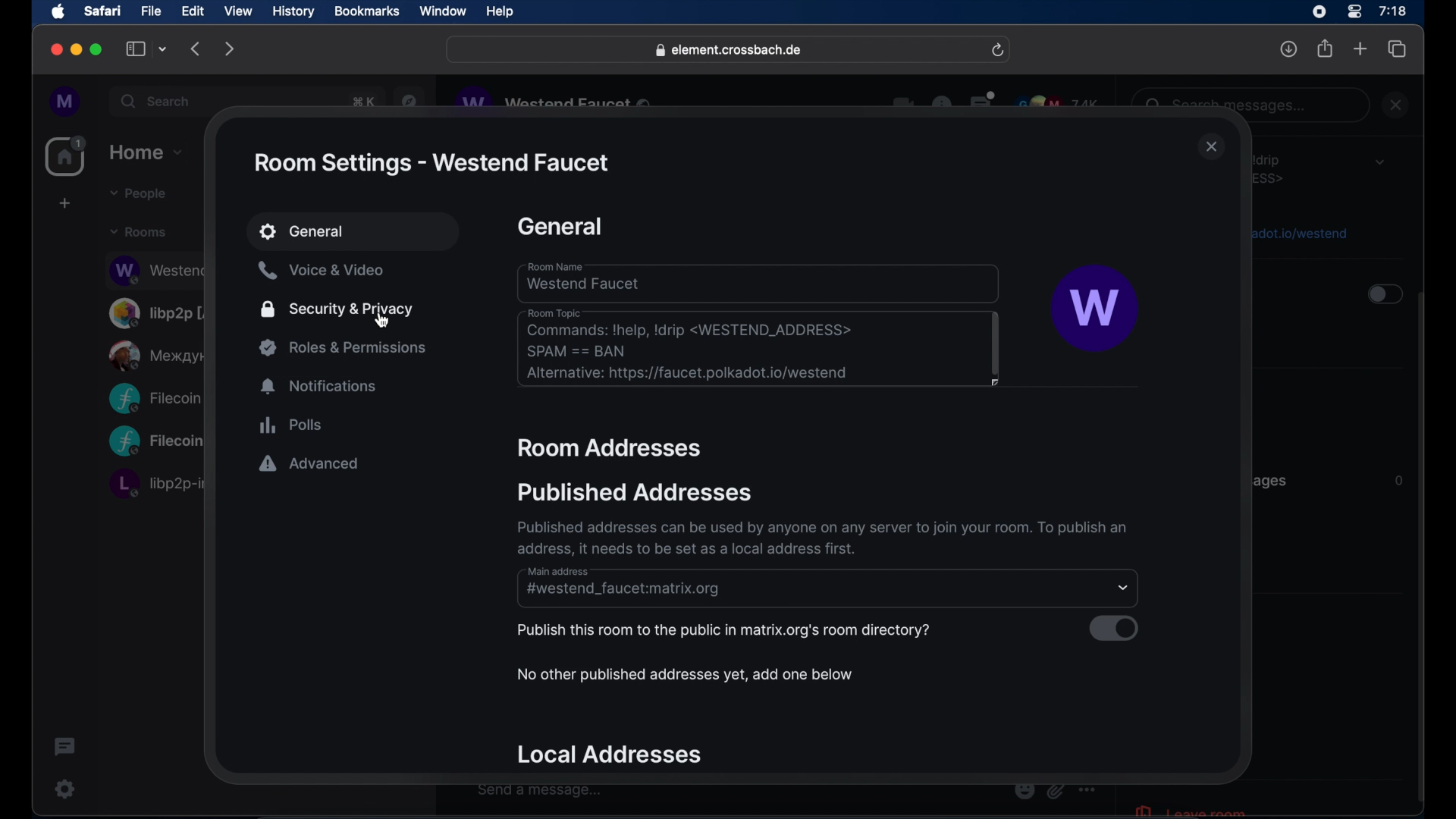 The image size is (1456, 819). I want to click on home, so click(67, 156).